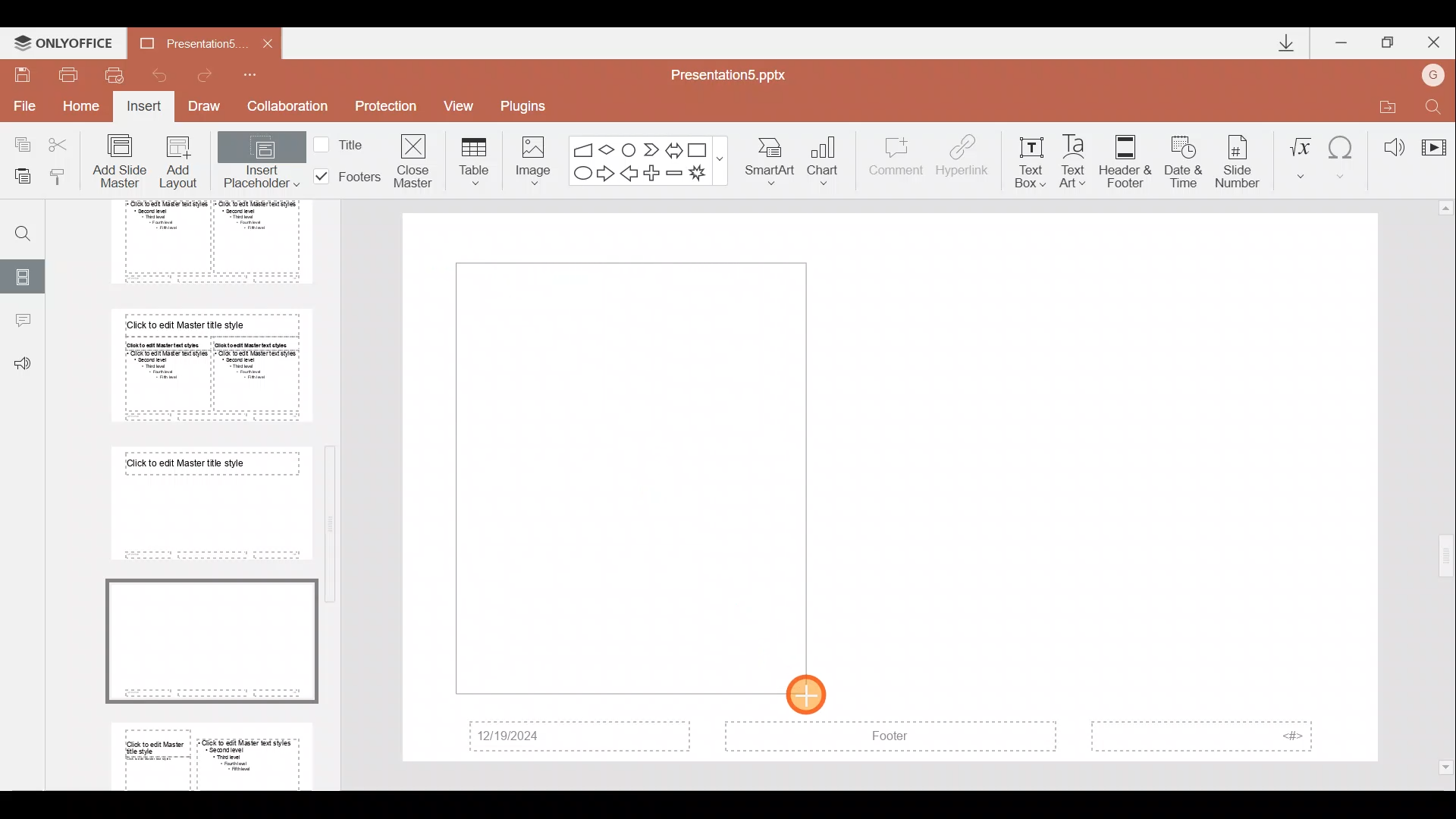 This screenshot has height=819, width=1456. What do you see at coordinates (704, 174) in the screenshot?
I see `Explosion 1` at bounding box center [704, 174].